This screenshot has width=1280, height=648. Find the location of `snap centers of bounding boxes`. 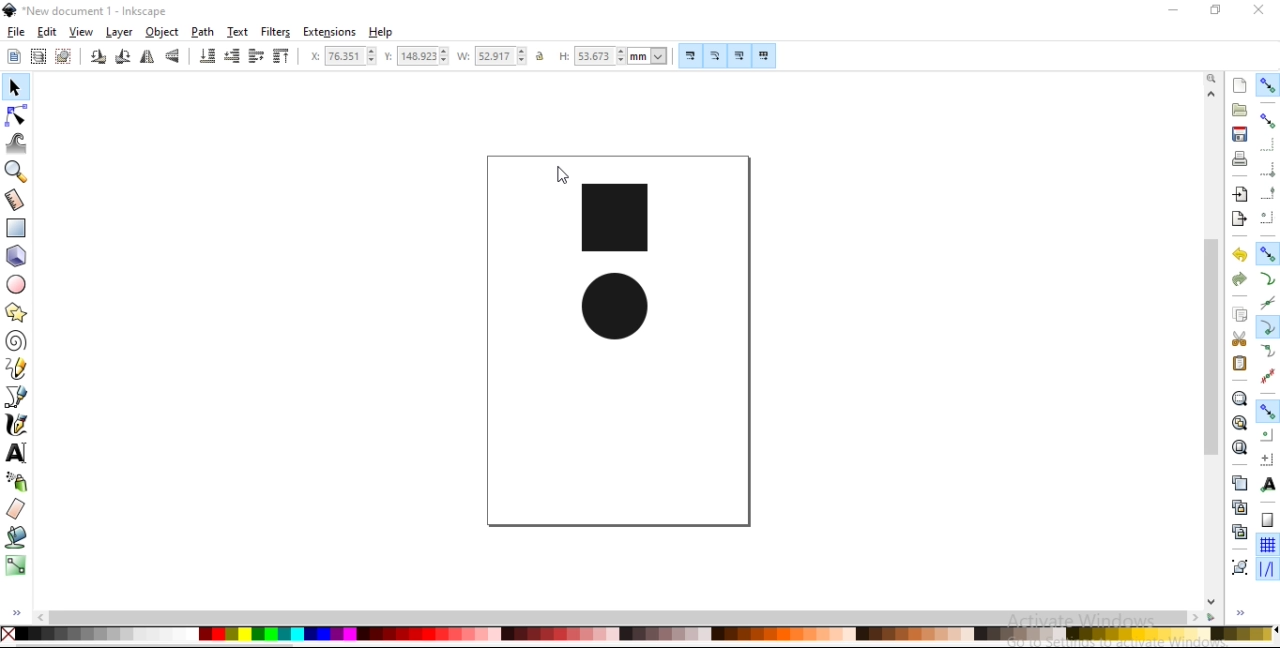

snap centers of bounding boxes is located at coordinates (1265, 216).